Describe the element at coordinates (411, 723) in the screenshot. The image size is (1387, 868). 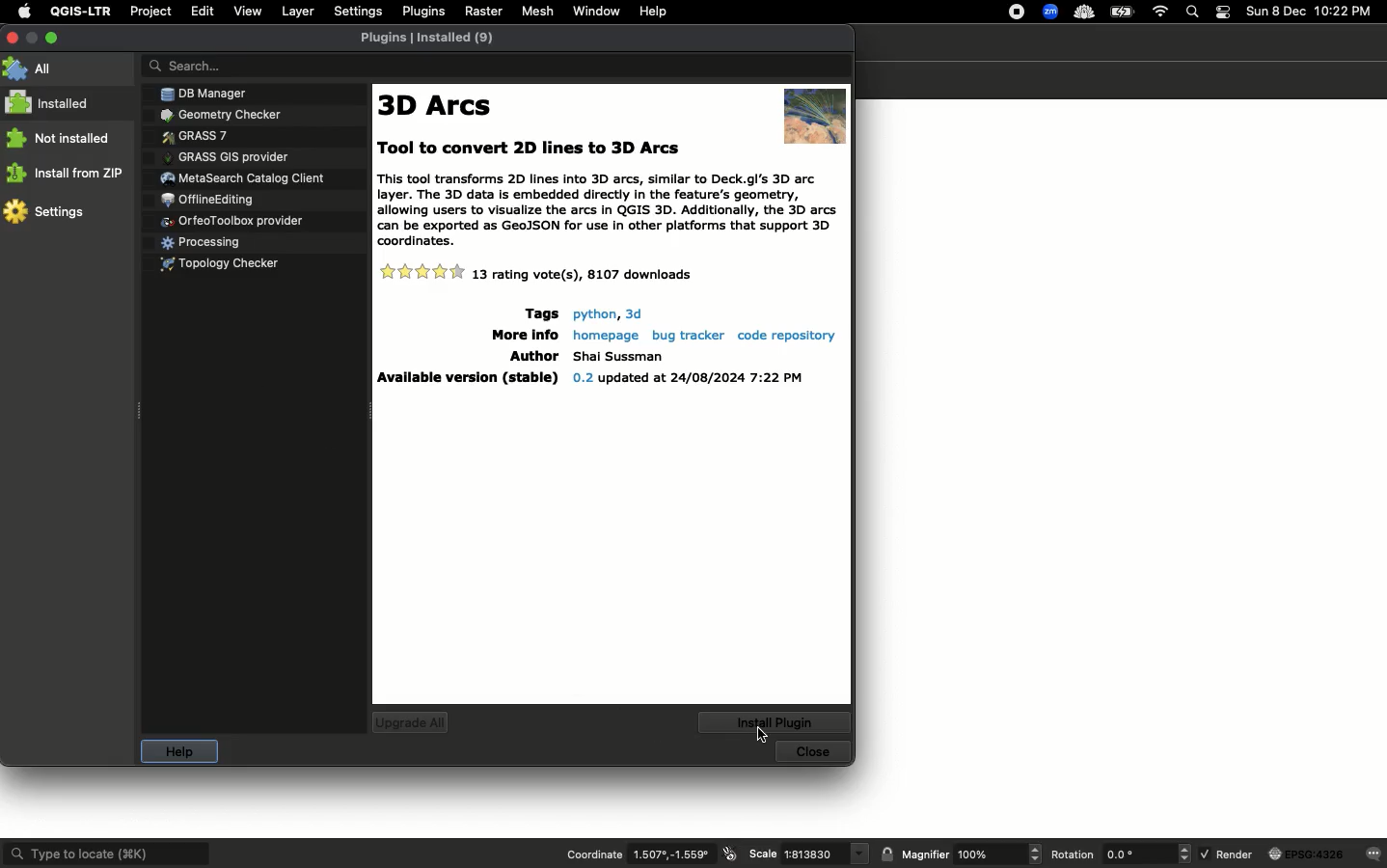
I see `Upgrade all` at that location.